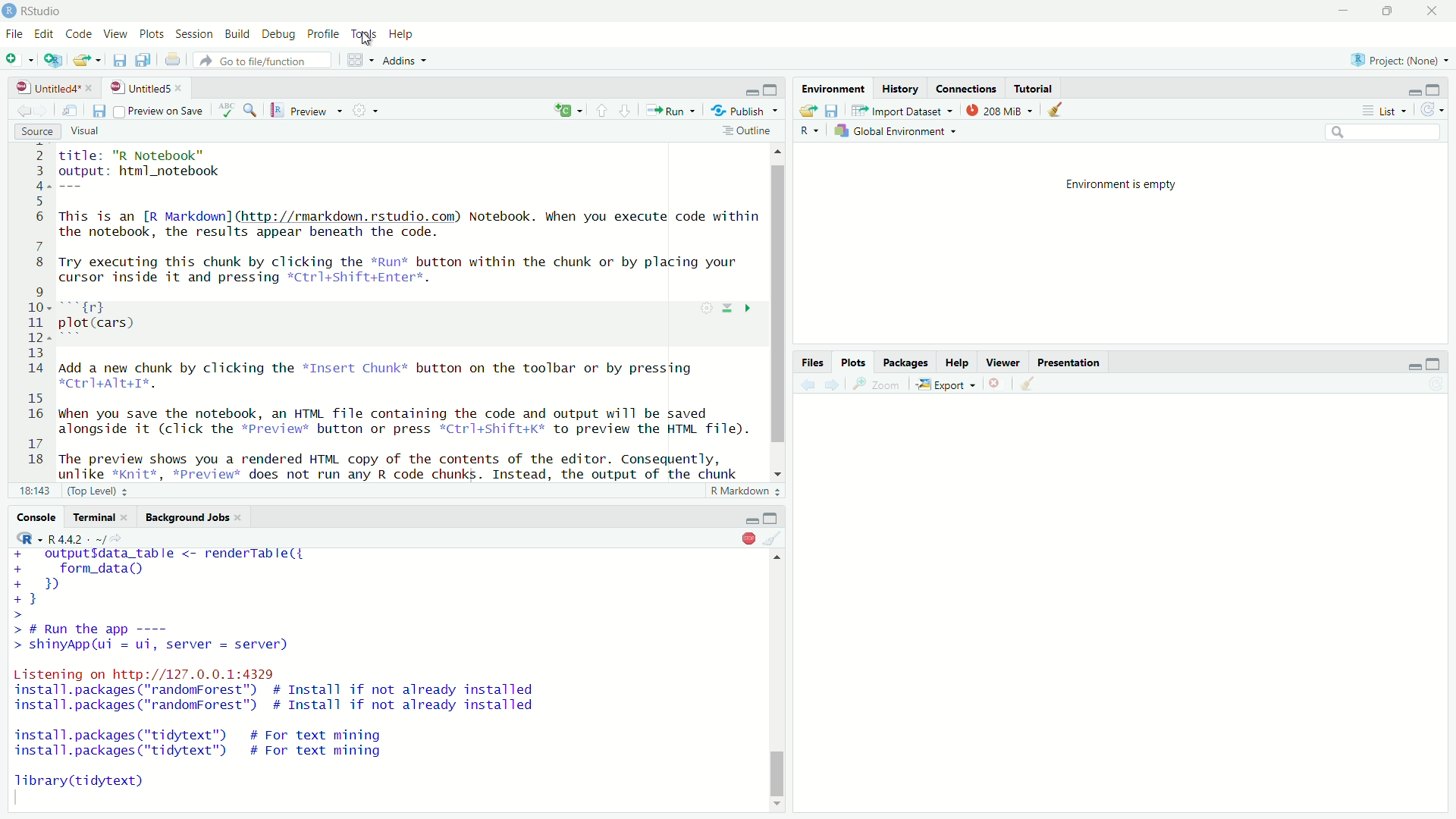 This screenshot has width=1456, height=819. I want to click on maximize, so click(1437, 89).